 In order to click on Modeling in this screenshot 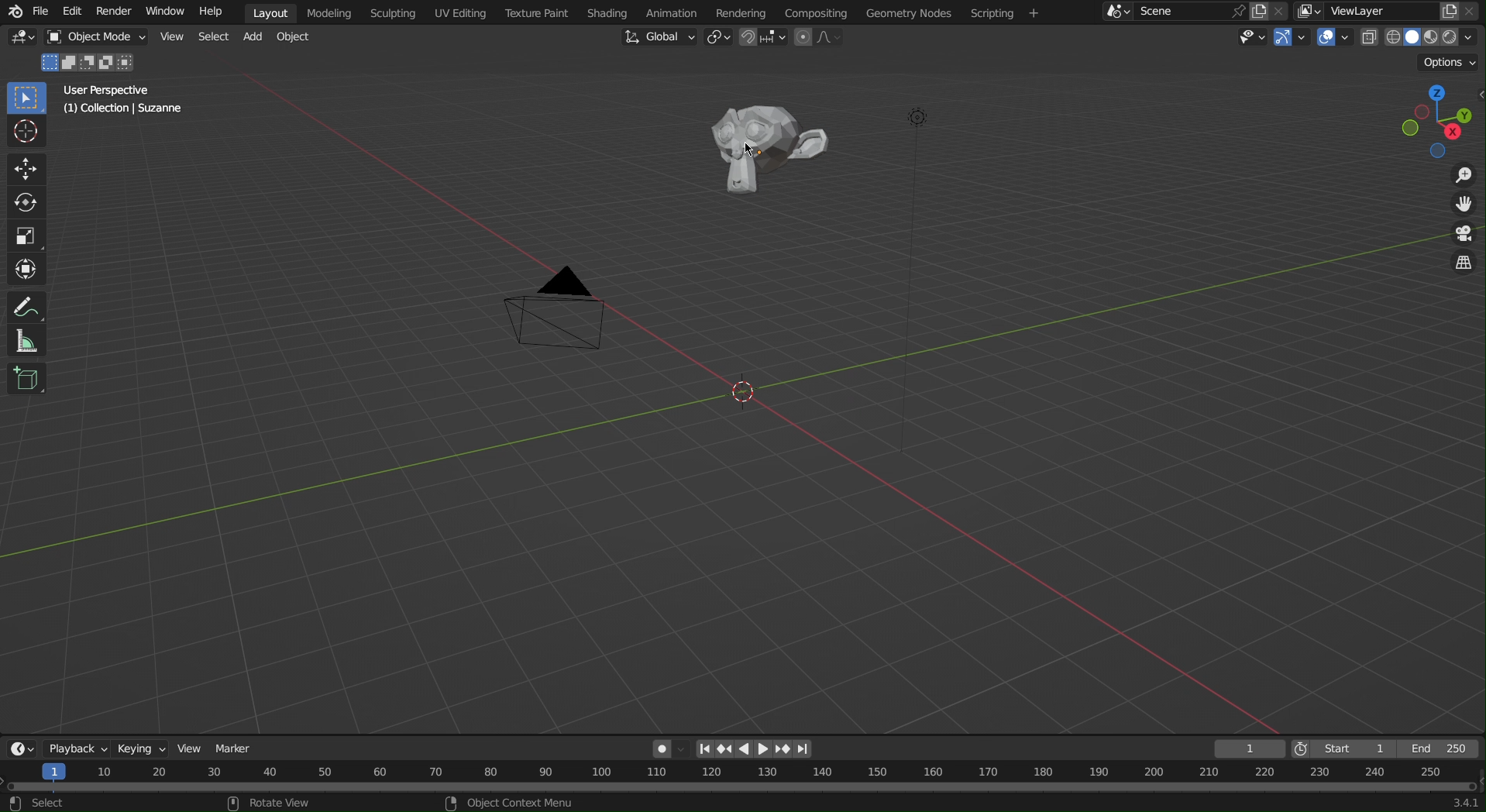, I will do `click(327, 12)`.